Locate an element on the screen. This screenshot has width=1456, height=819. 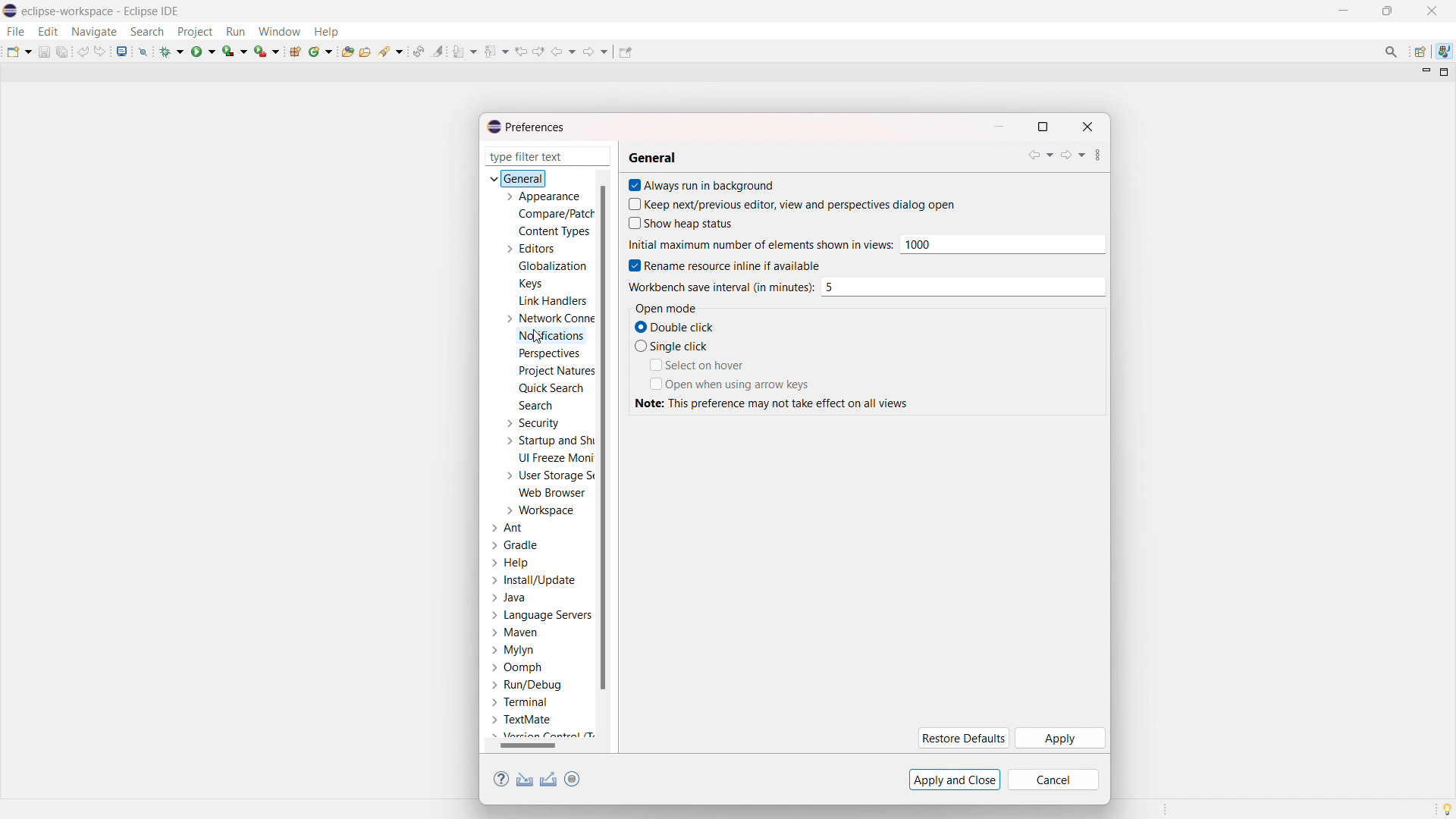
search is located at coordinates (392, 50).